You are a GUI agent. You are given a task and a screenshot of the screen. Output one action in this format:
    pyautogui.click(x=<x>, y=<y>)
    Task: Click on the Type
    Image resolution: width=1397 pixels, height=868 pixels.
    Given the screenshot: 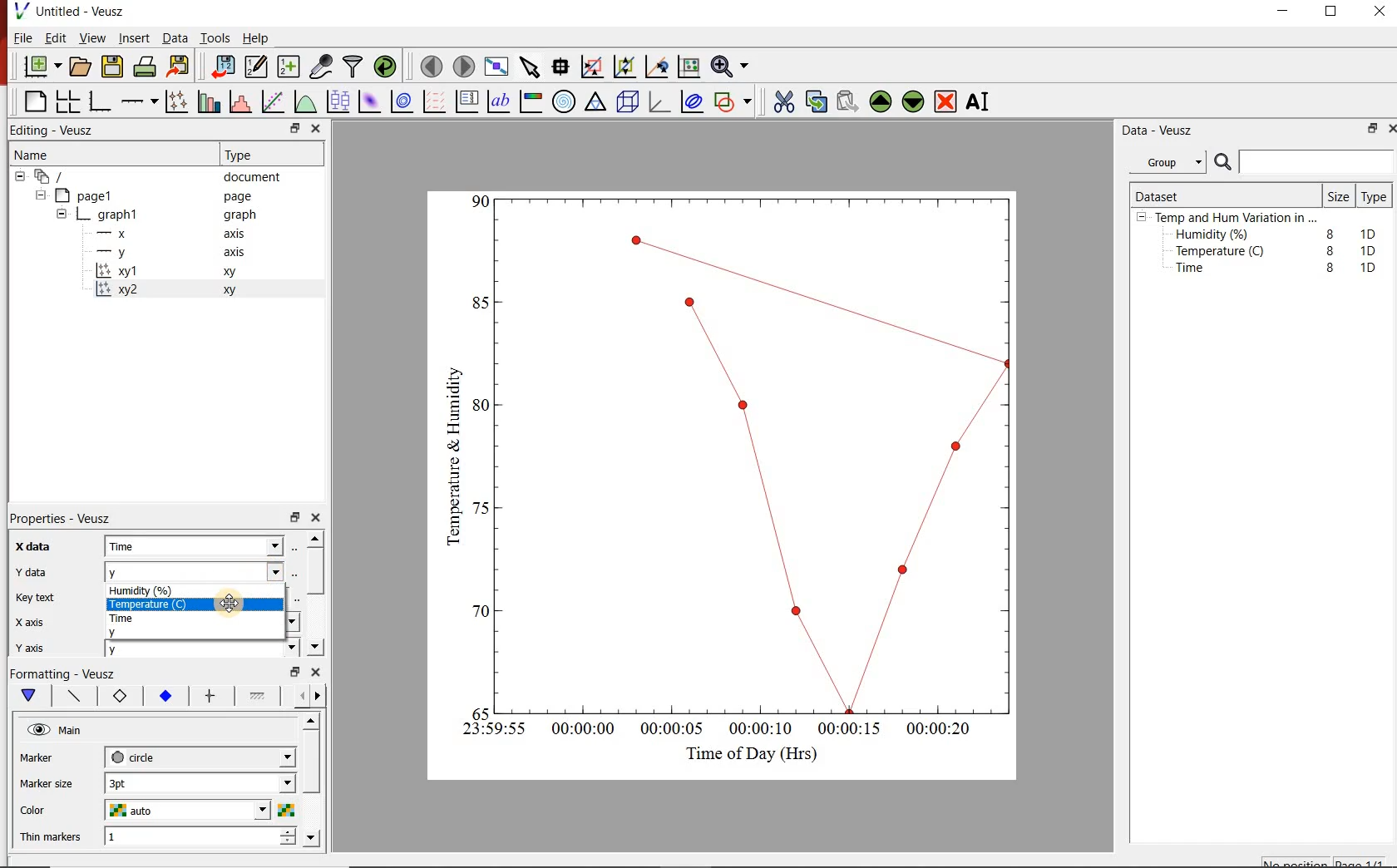 What is the action you would take?
    pyautogui.click(x=1375, y=198)
    